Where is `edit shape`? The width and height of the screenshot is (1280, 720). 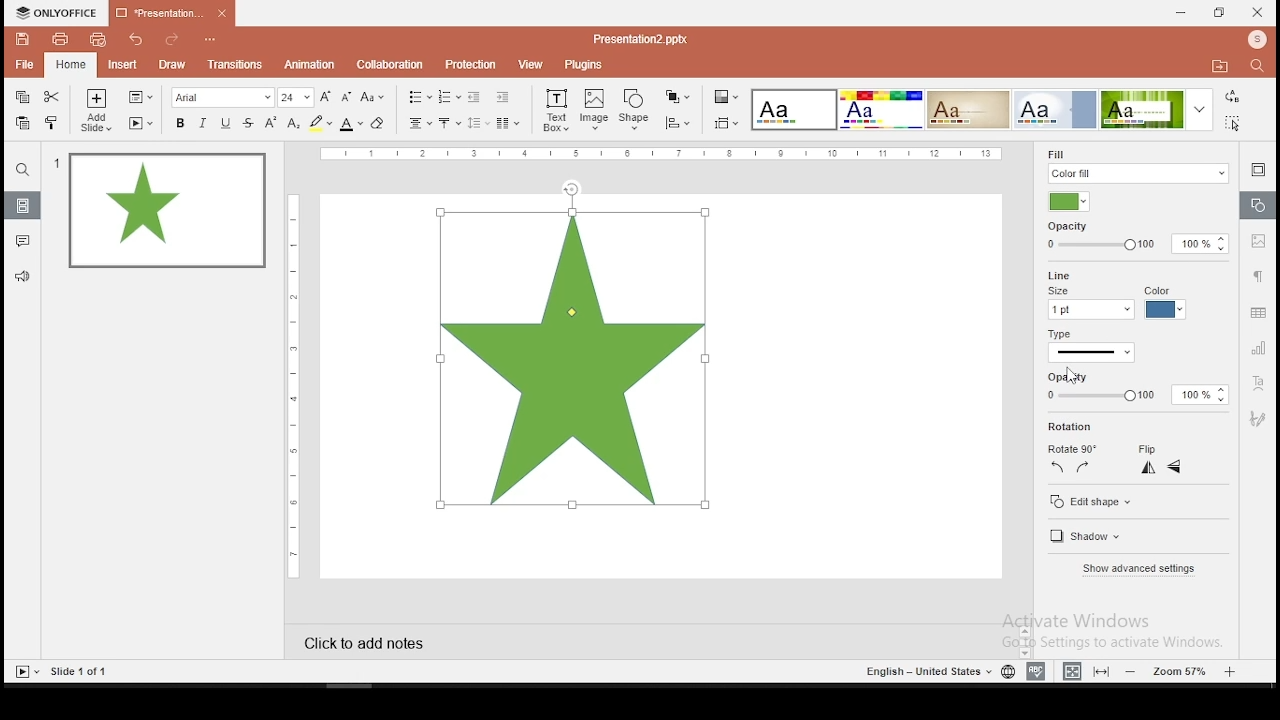
edit shape is located at coordinates (1090, 501).